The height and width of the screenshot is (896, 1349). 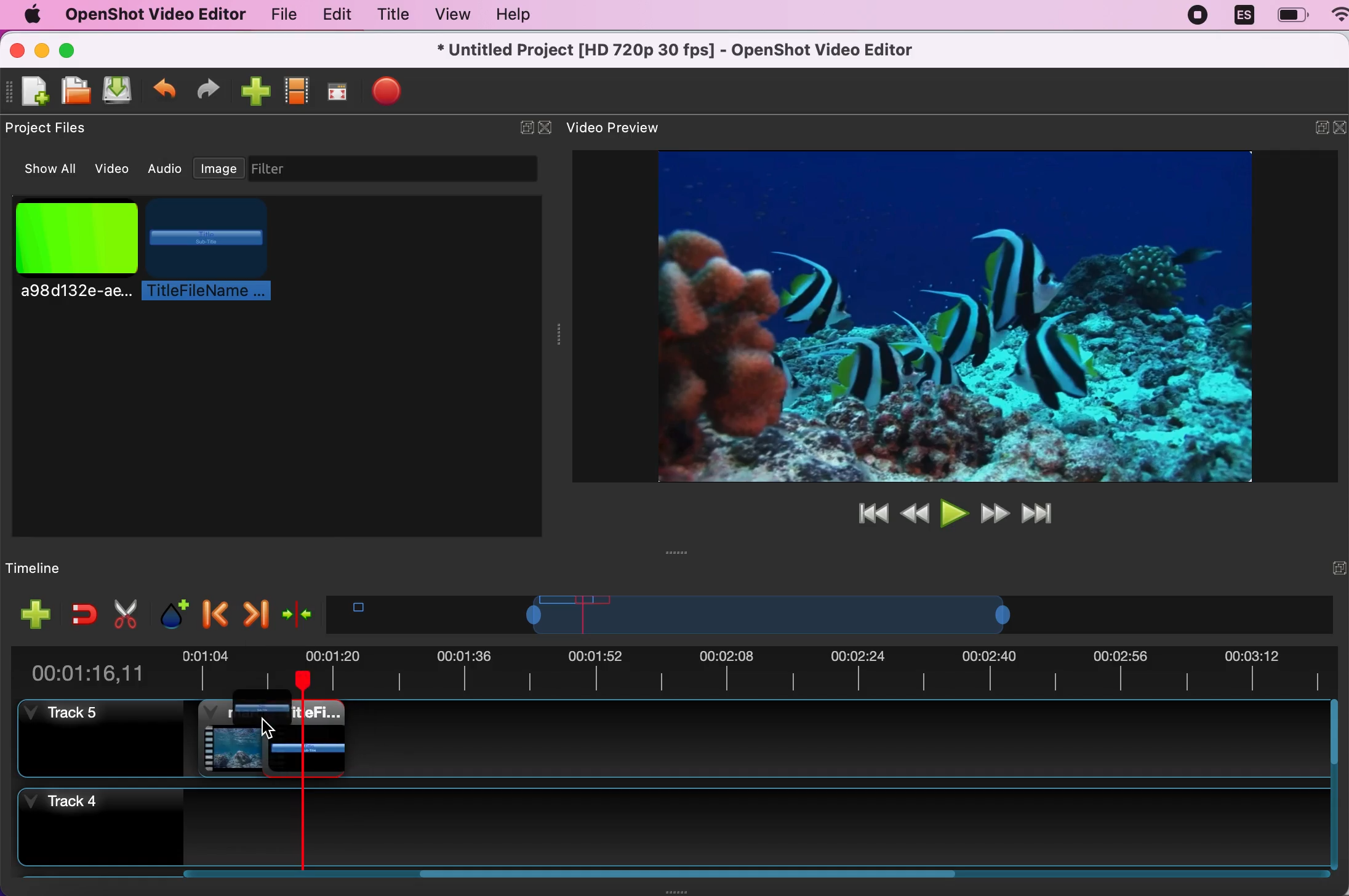 I want to click on hide/expand, so click(x=1315, y=567).